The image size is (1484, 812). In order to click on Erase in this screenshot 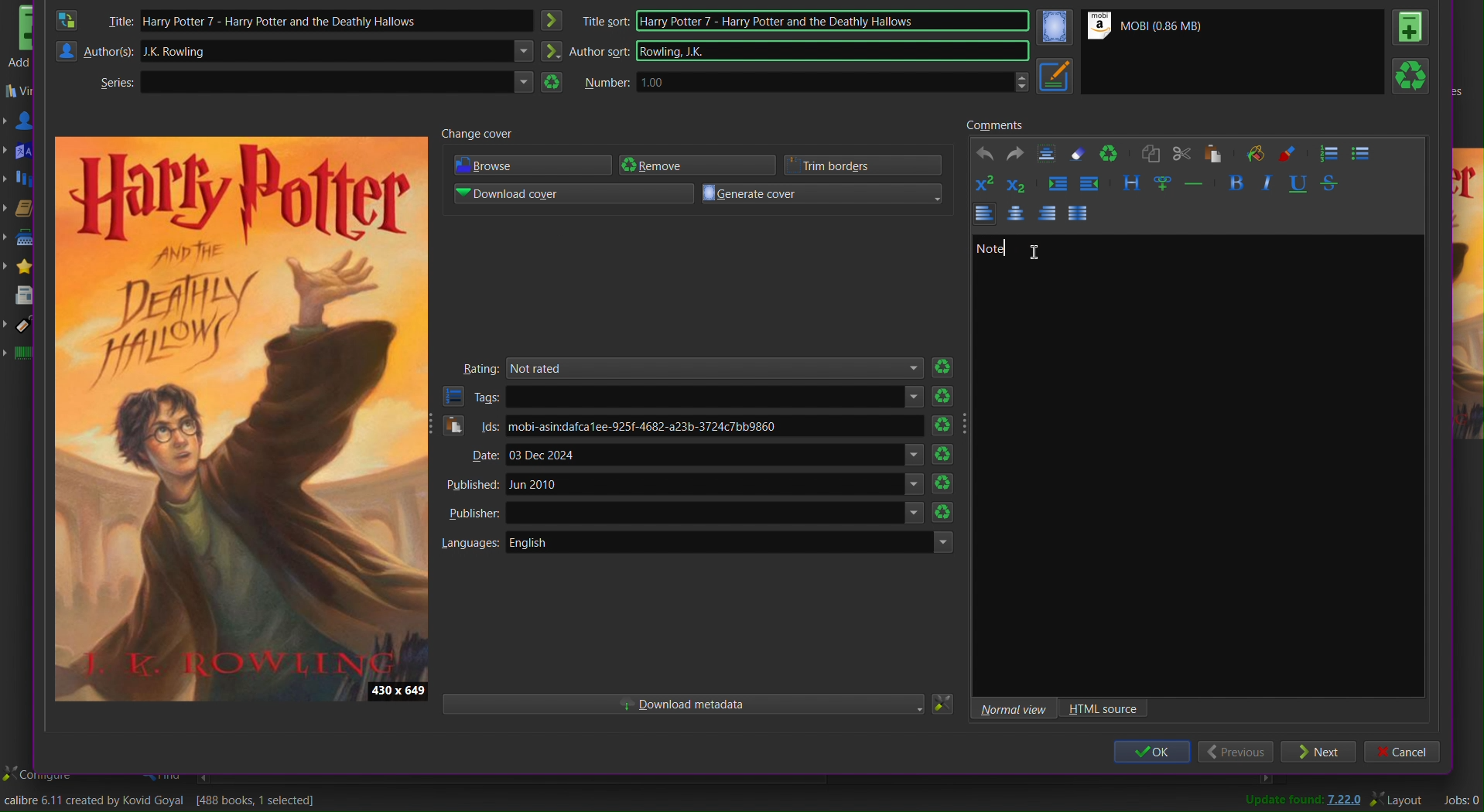, I will do `click(1077, 151)`.